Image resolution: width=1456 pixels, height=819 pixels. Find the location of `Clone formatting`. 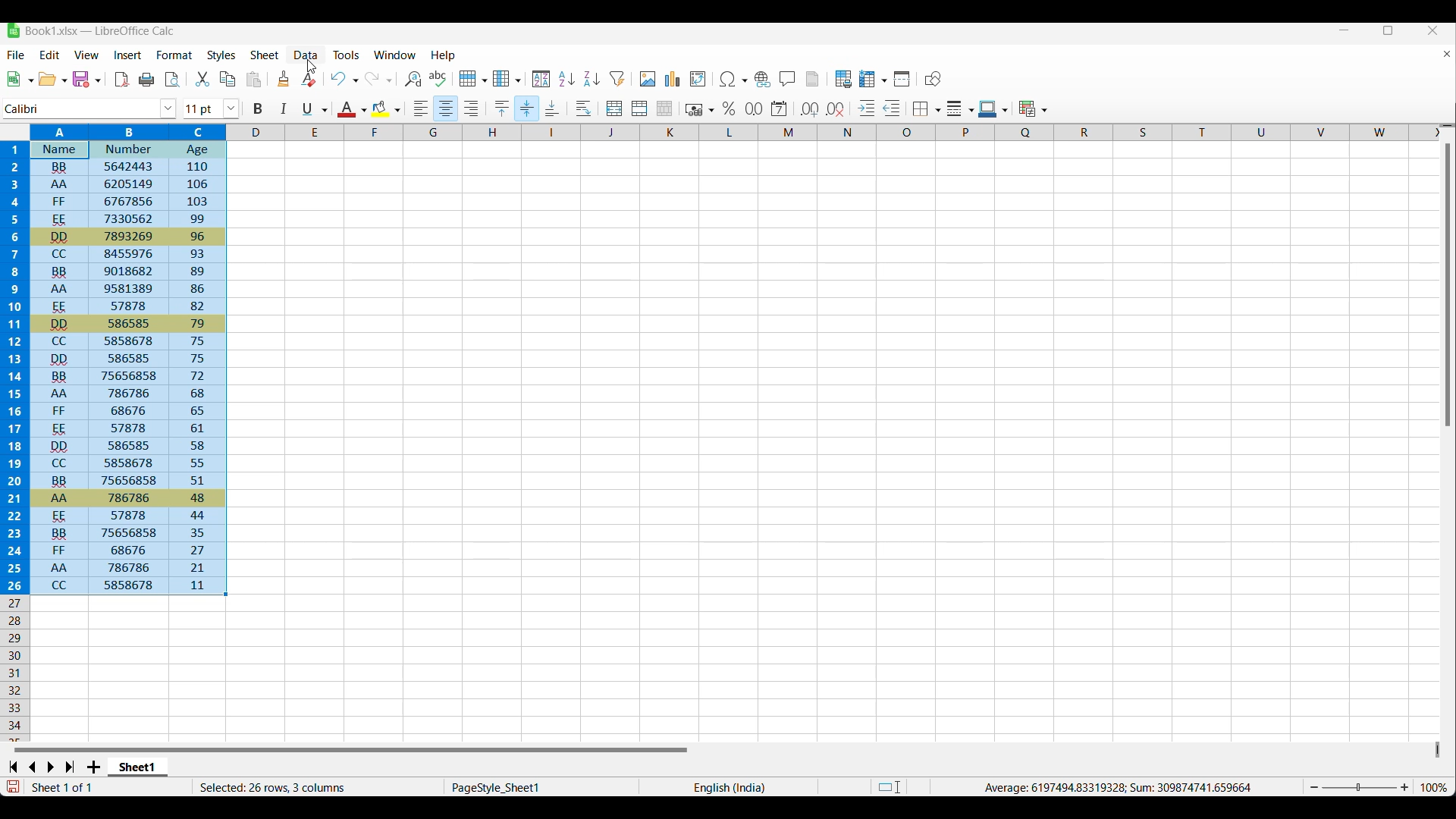

Clone formatting is located at coordinates (284, 78).